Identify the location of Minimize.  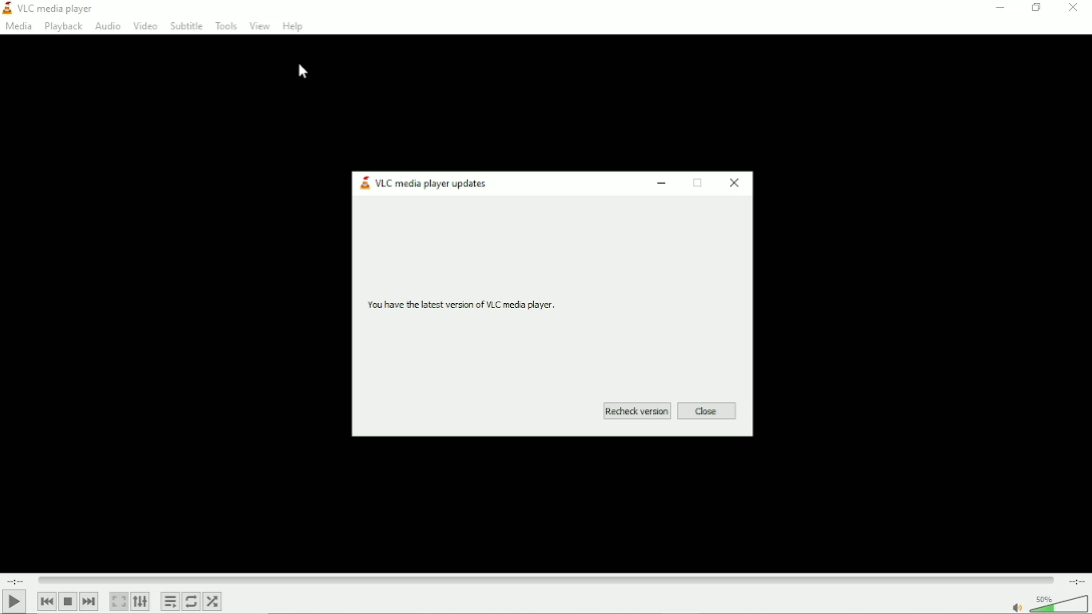
(664, 183).